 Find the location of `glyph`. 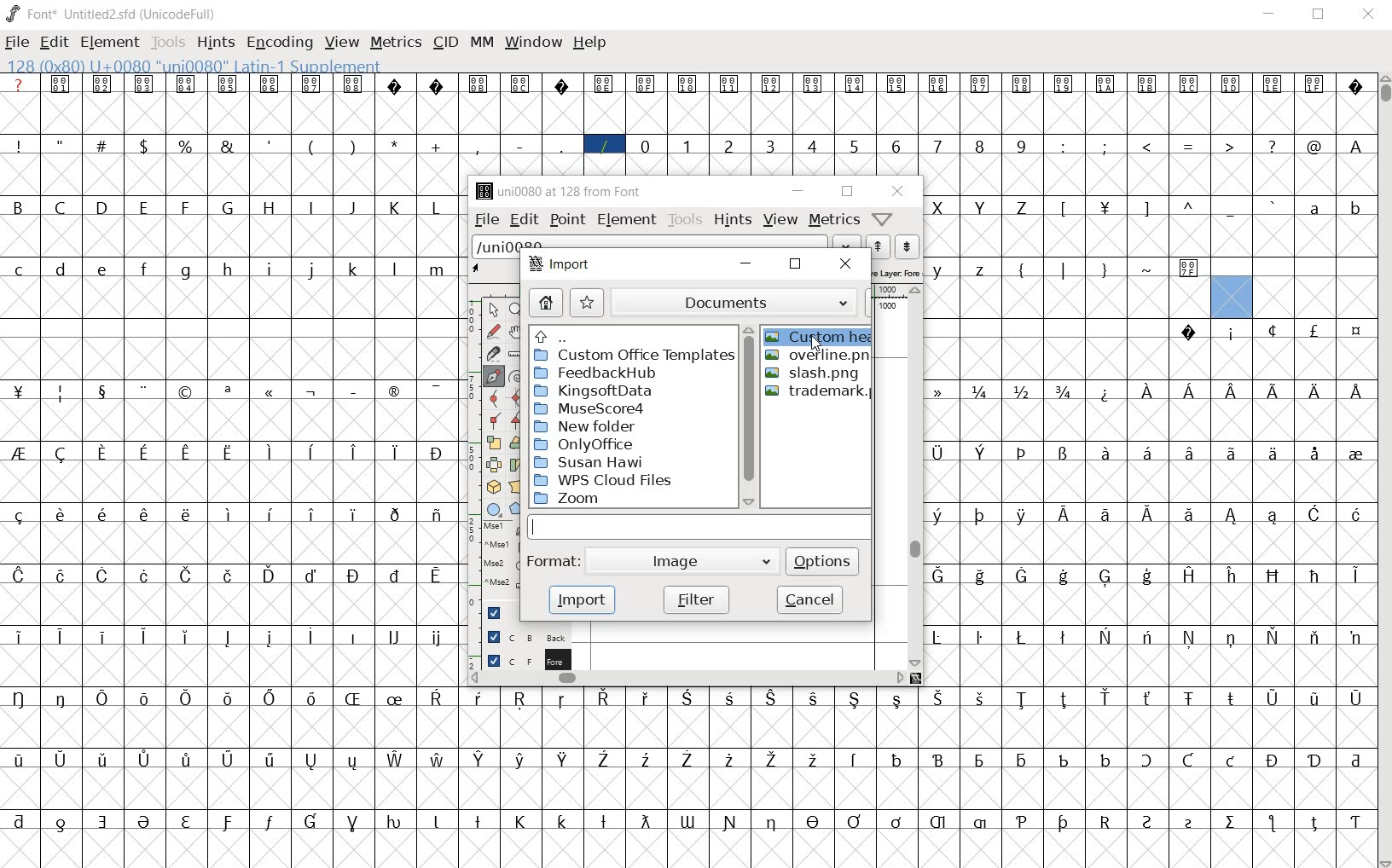

glyph is located at coordinates (269, 638).